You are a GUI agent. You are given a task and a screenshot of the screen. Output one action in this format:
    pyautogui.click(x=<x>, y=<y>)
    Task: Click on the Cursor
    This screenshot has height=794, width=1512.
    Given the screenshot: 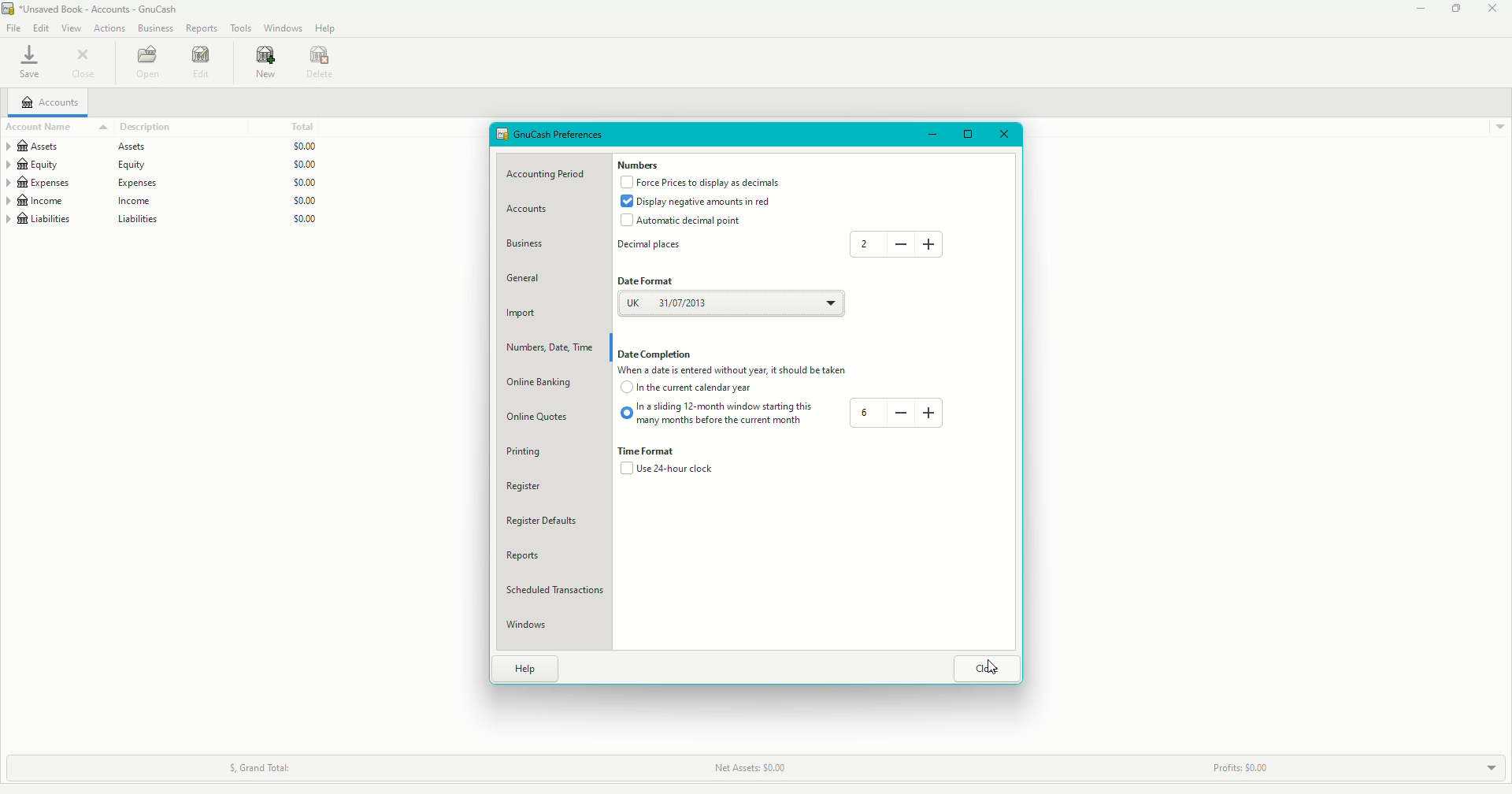 What is the action you would take?
    pyautogui.click(x=998, y=668)
    